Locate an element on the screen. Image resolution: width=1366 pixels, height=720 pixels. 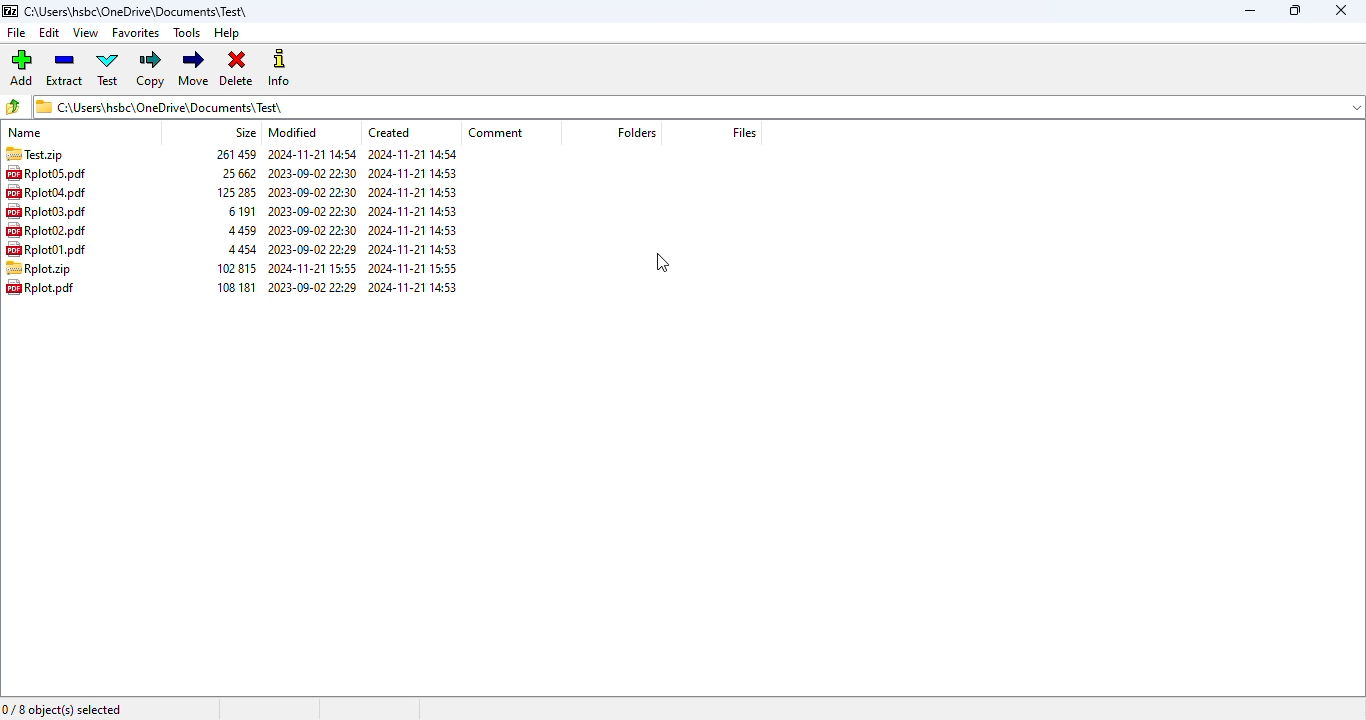
name is located at coordinates (27, 132).